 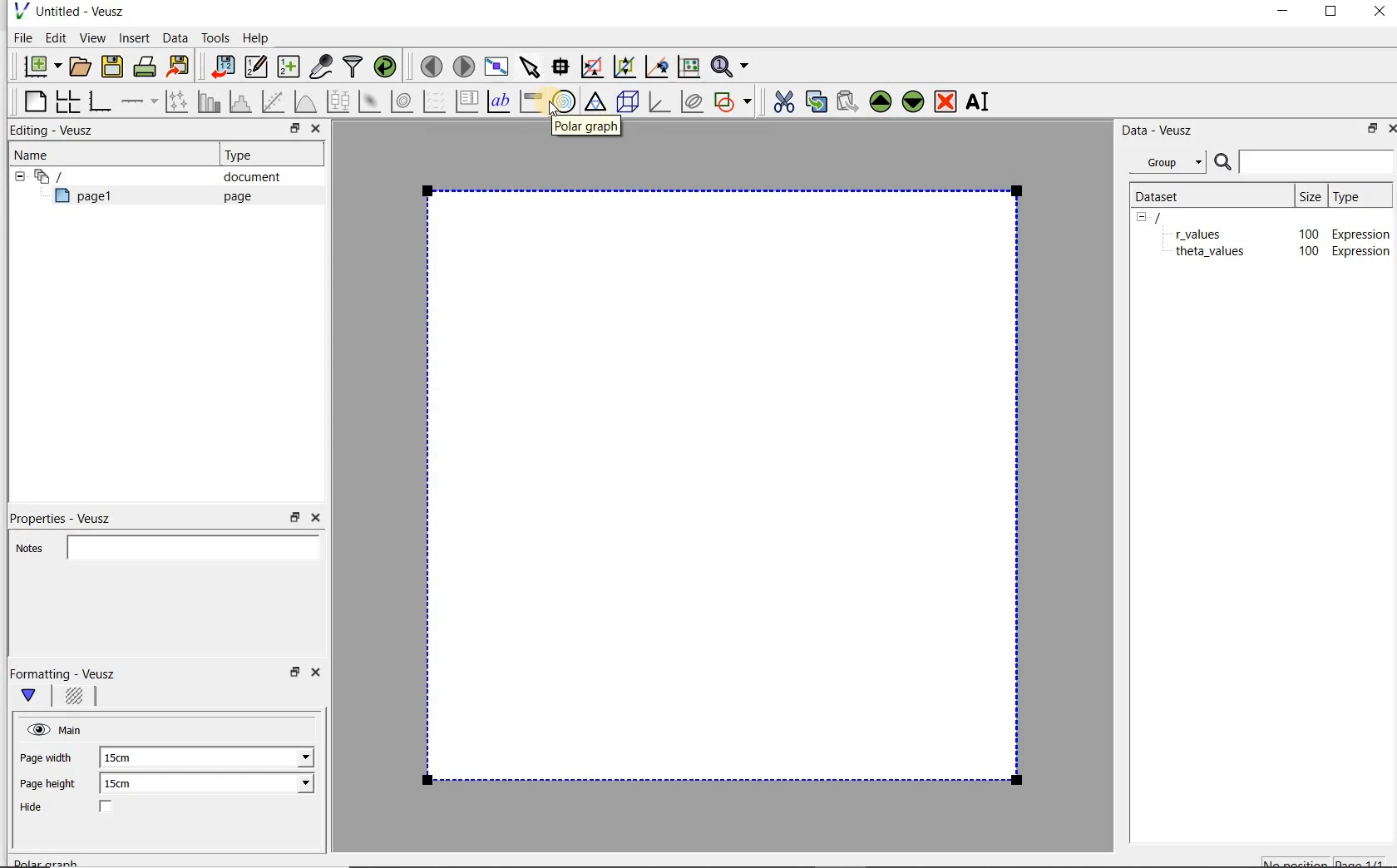 I want to click on add a shape to the plot, so click(x=734, y=100).